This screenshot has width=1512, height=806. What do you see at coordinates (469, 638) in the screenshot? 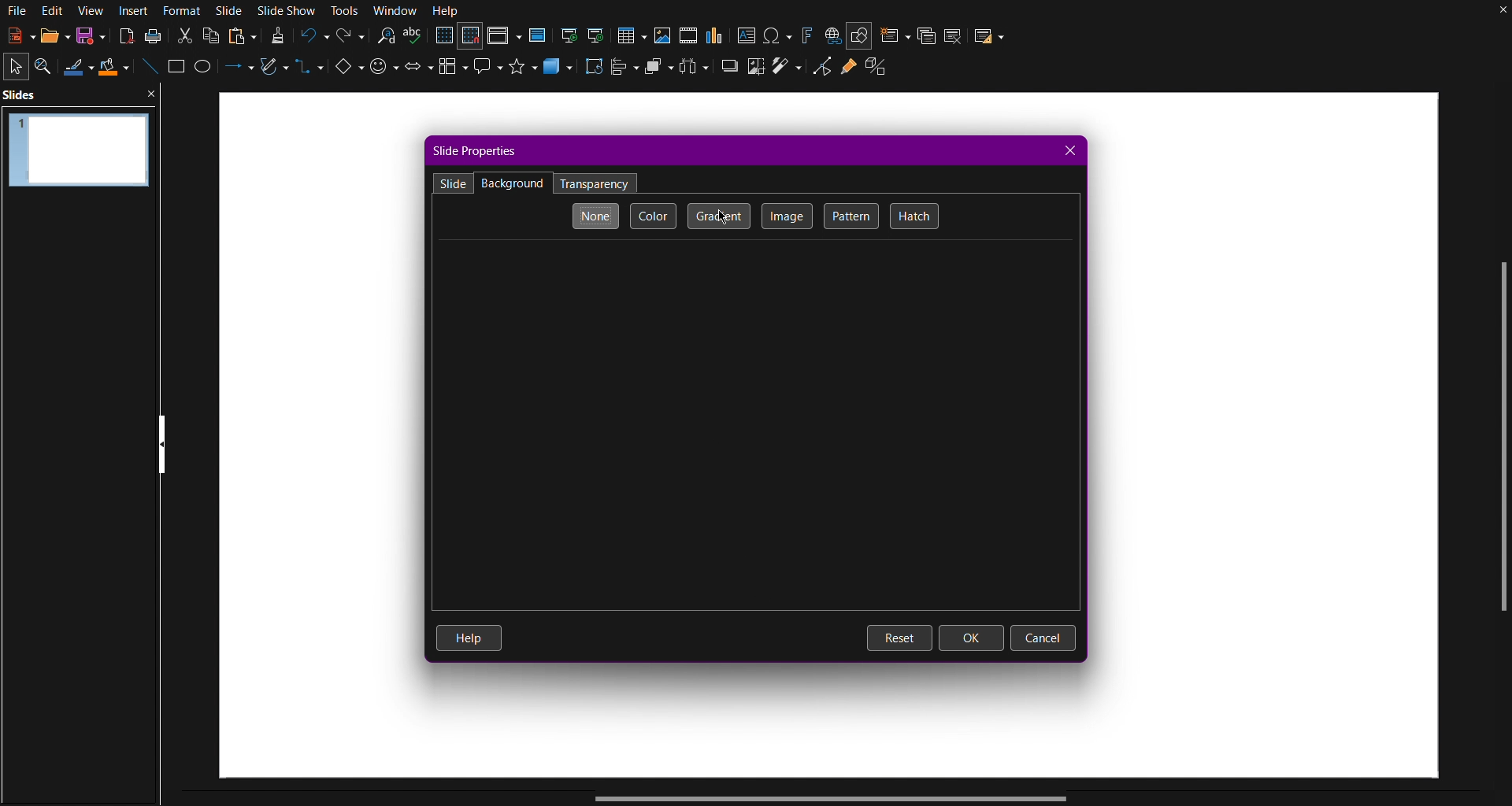
I see `Help` at bounding box center [469, 638].